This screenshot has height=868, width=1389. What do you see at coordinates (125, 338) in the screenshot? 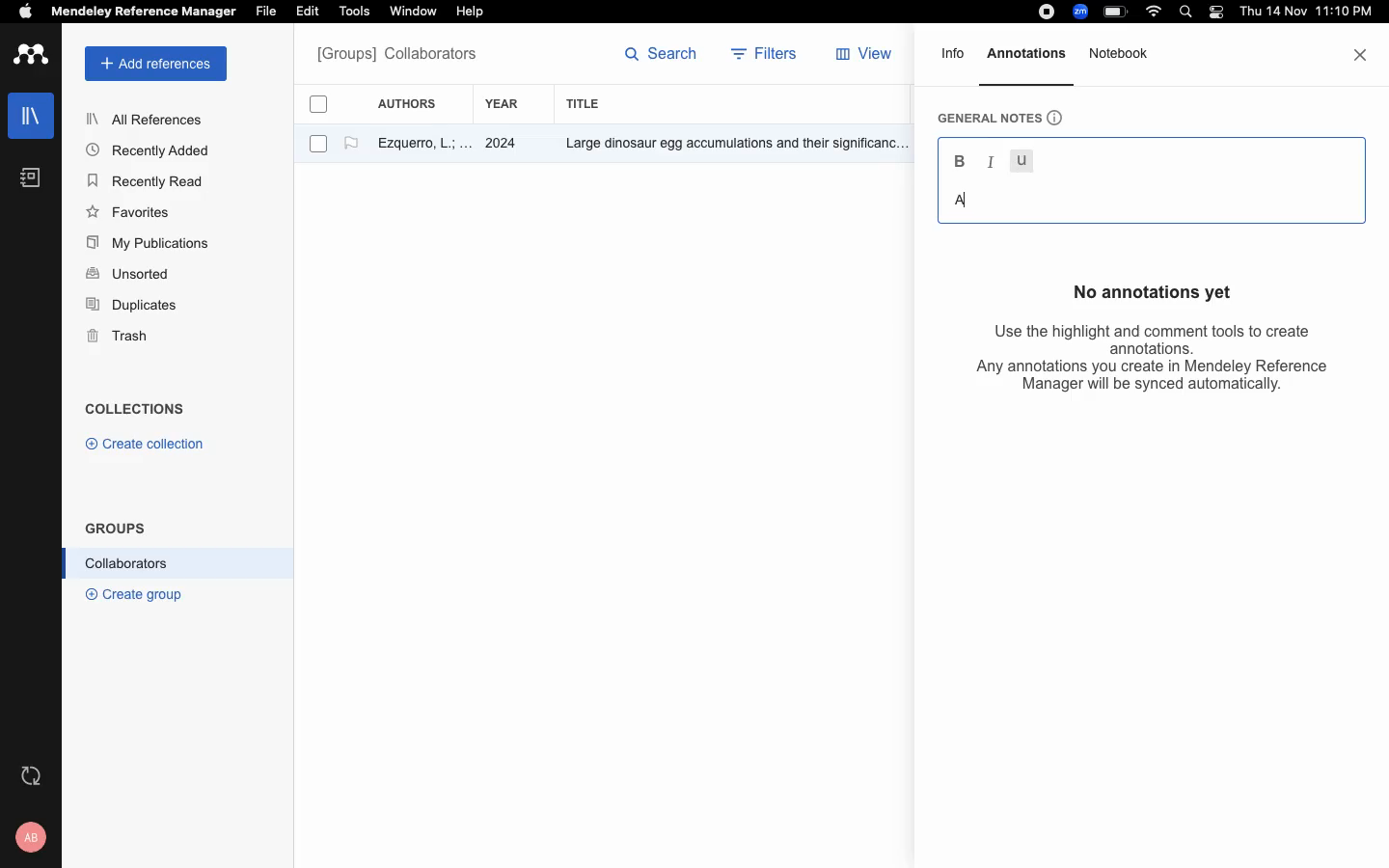
I see `Trash` at bounding box center [125, 338].